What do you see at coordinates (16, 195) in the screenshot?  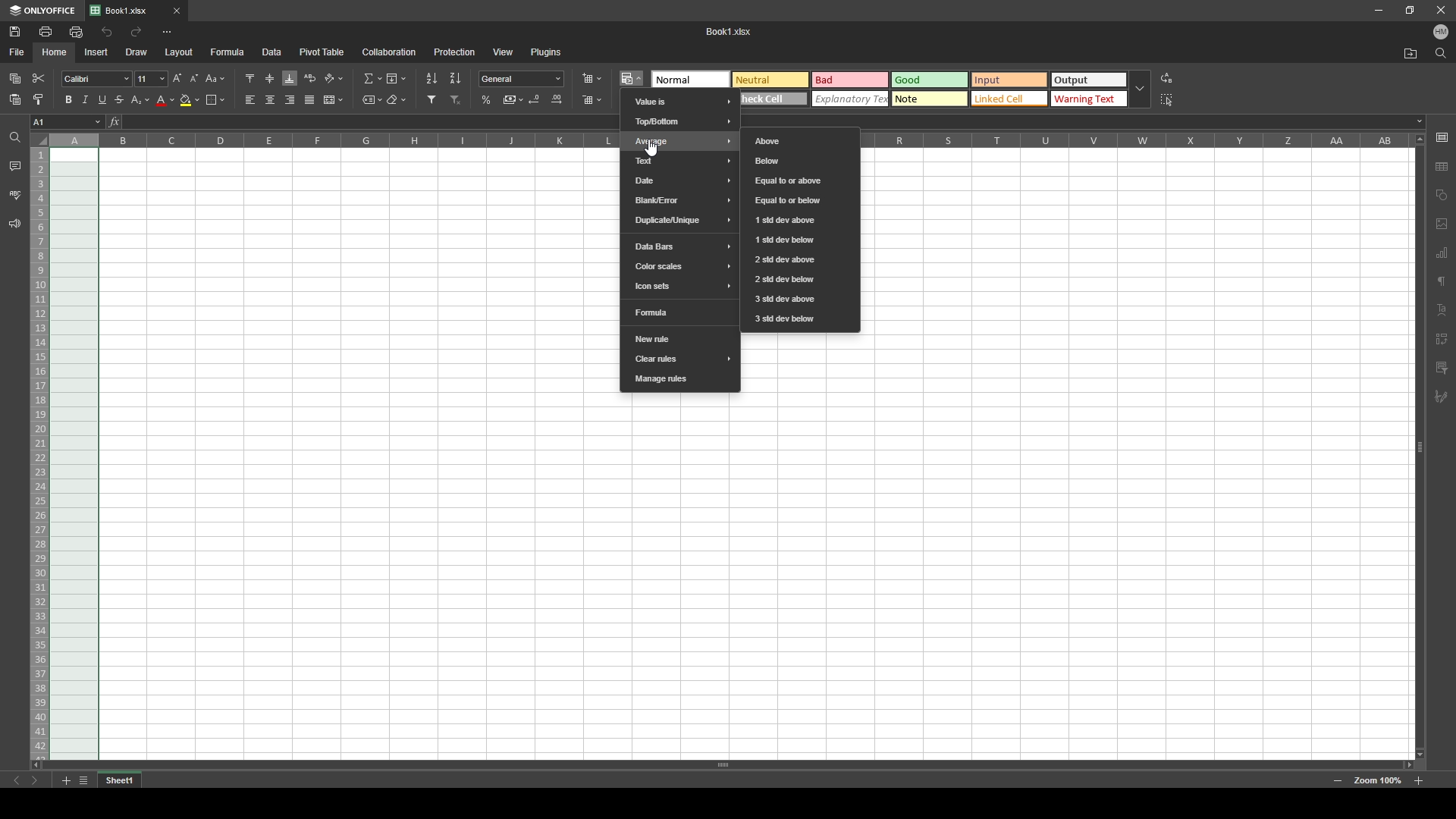 I see `spell check` at bounding box center [16, 195].